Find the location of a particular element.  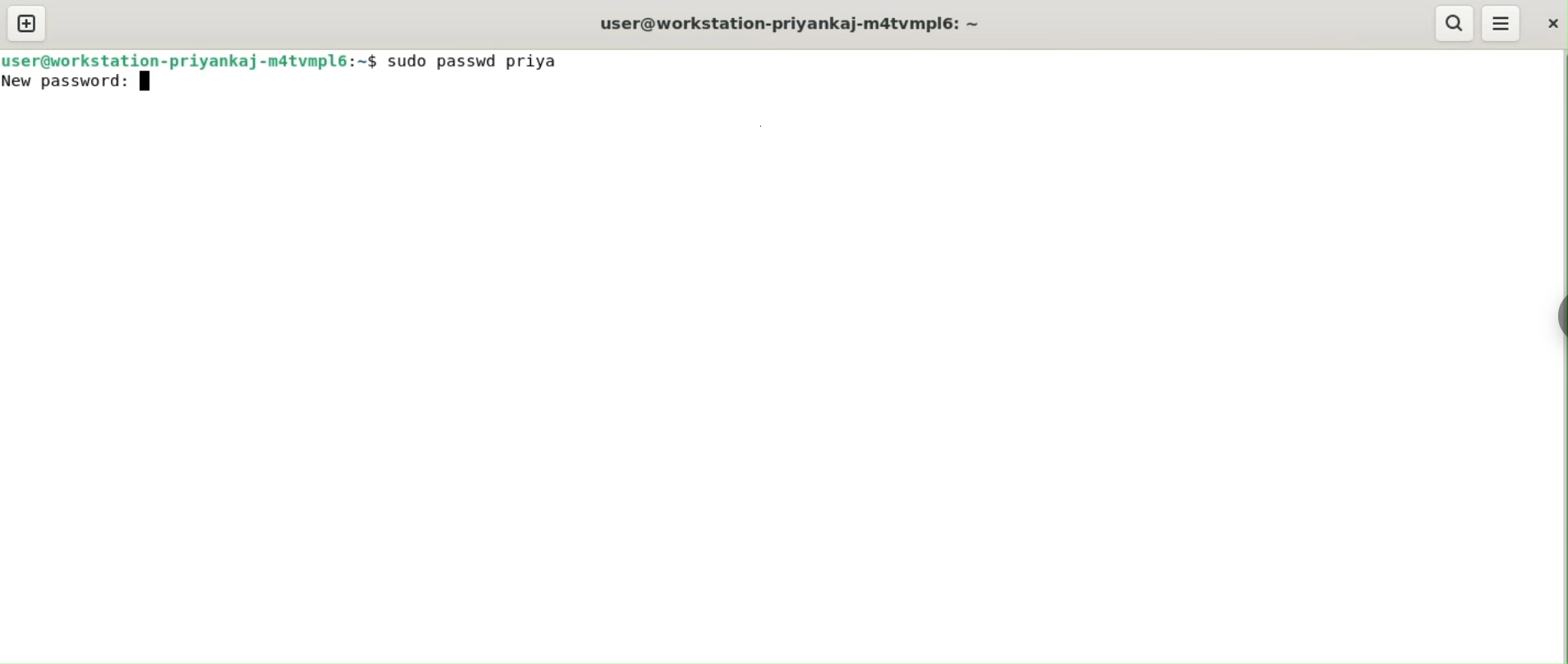

menu is located at coordinates (1502, 23).